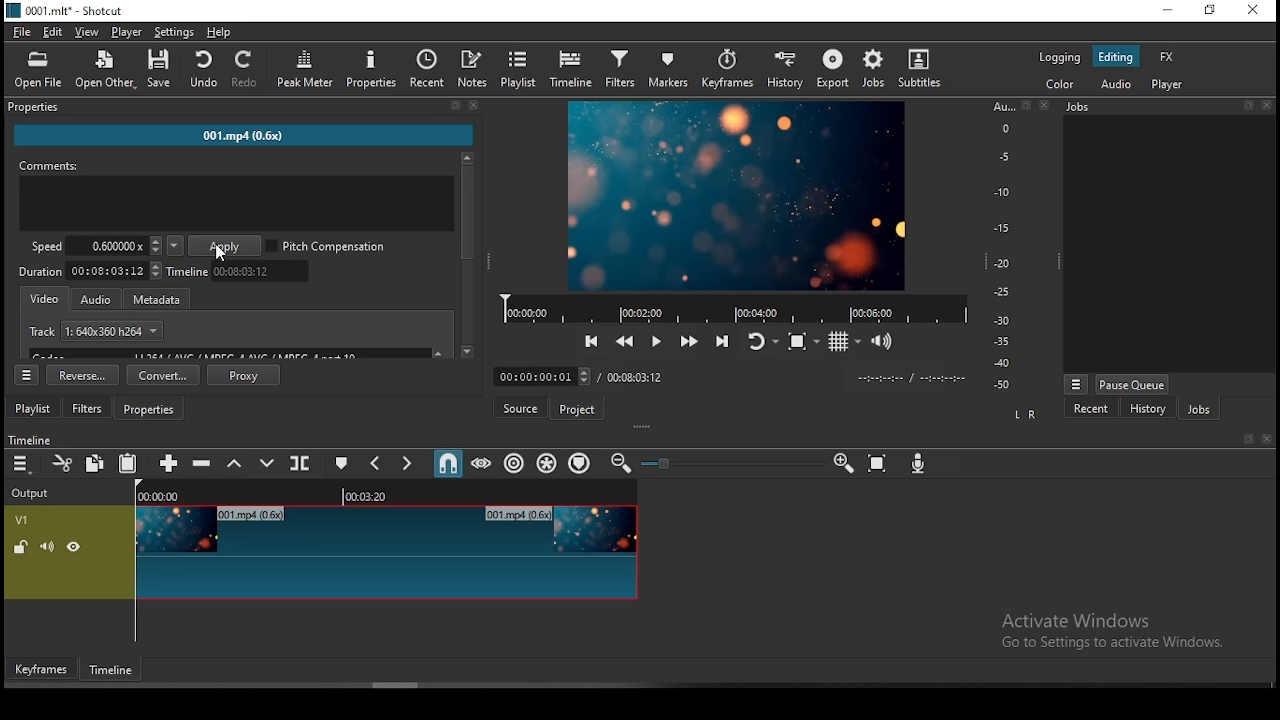  Describe the element at coordinates (341, 464) in the screenshot. I see `create/edit marker` at that location.